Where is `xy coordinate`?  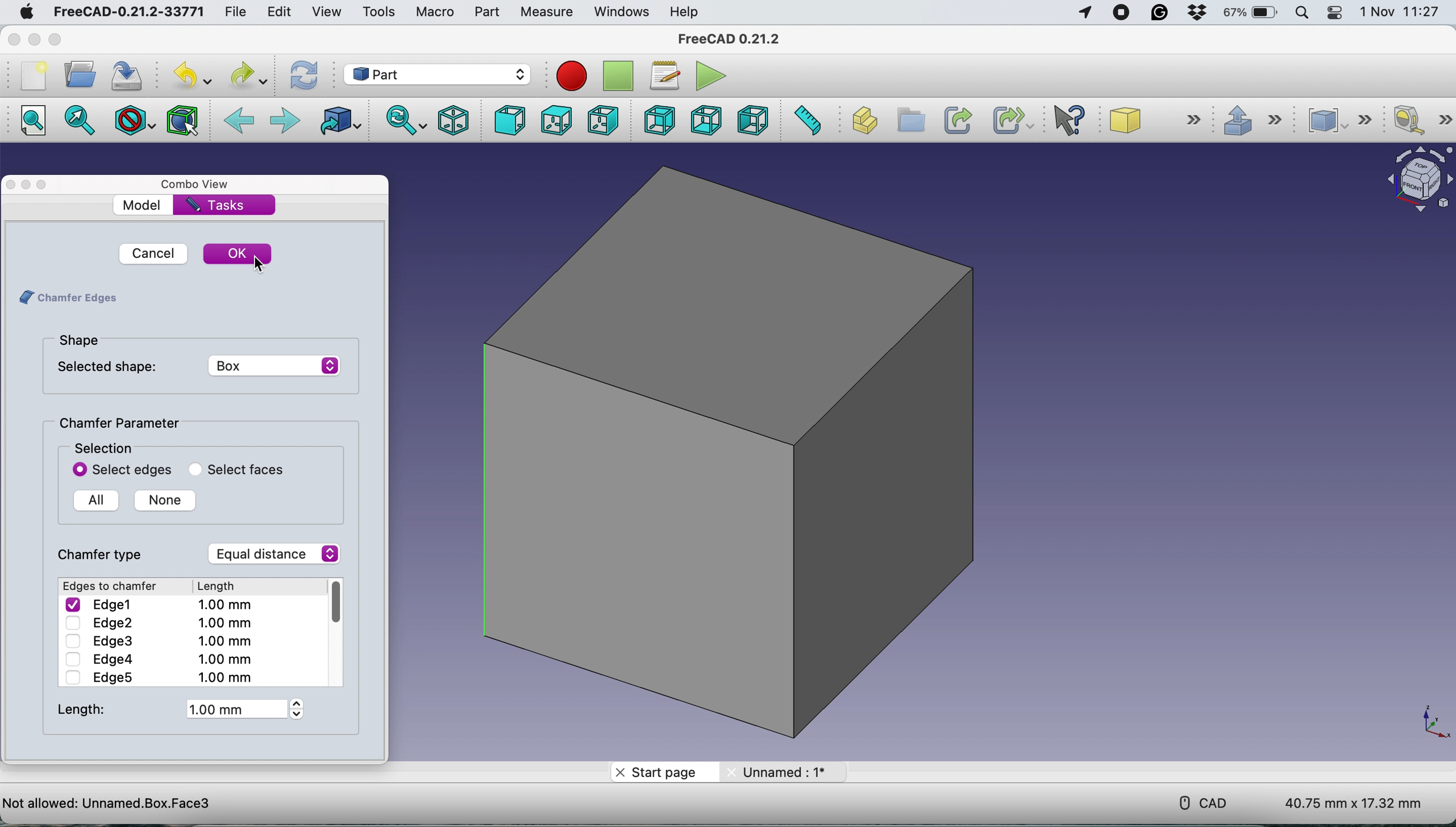
xy coordinate is located at coordinates (1430, 719).